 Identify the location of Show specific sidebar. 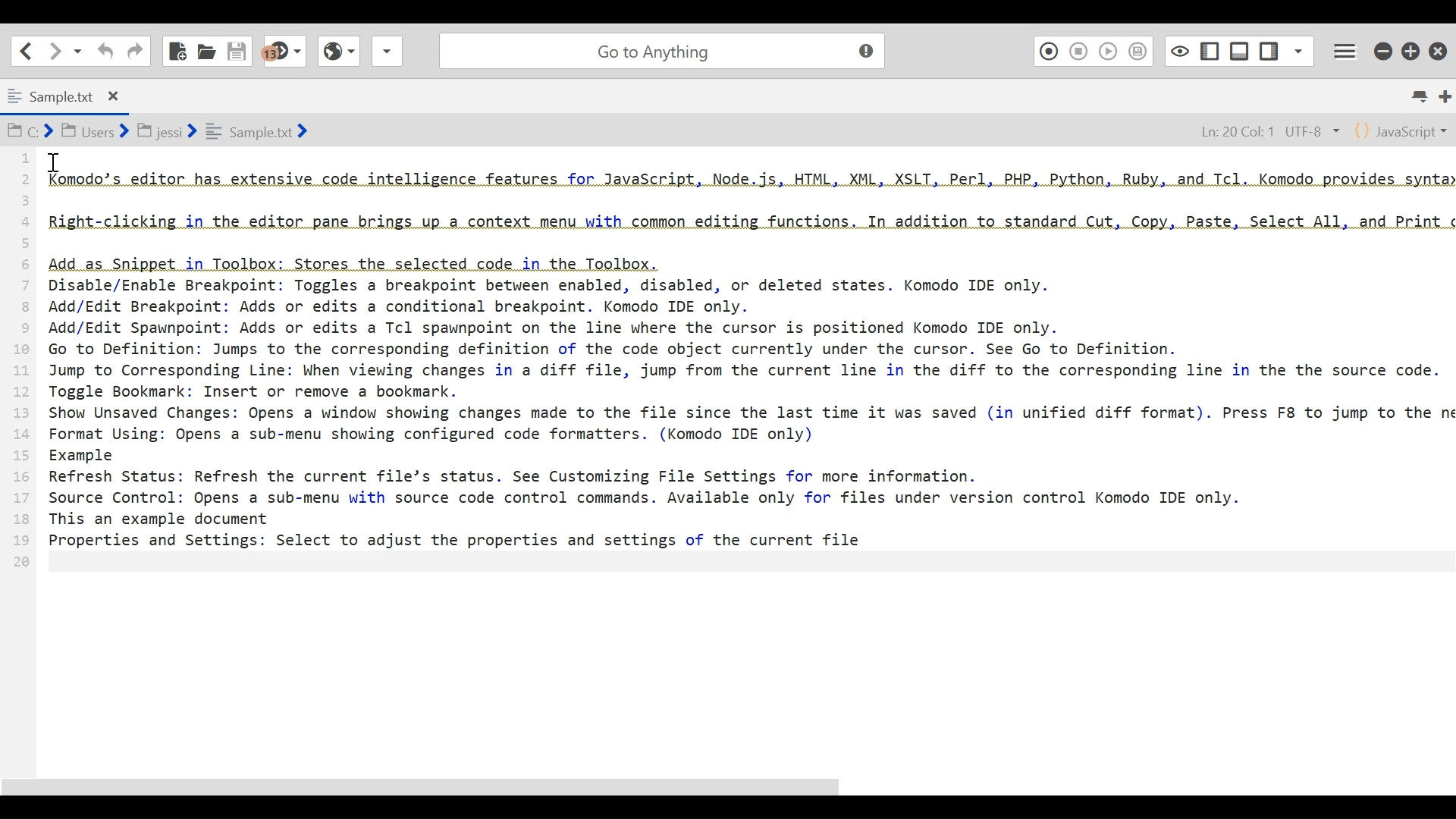
(1298, 49).